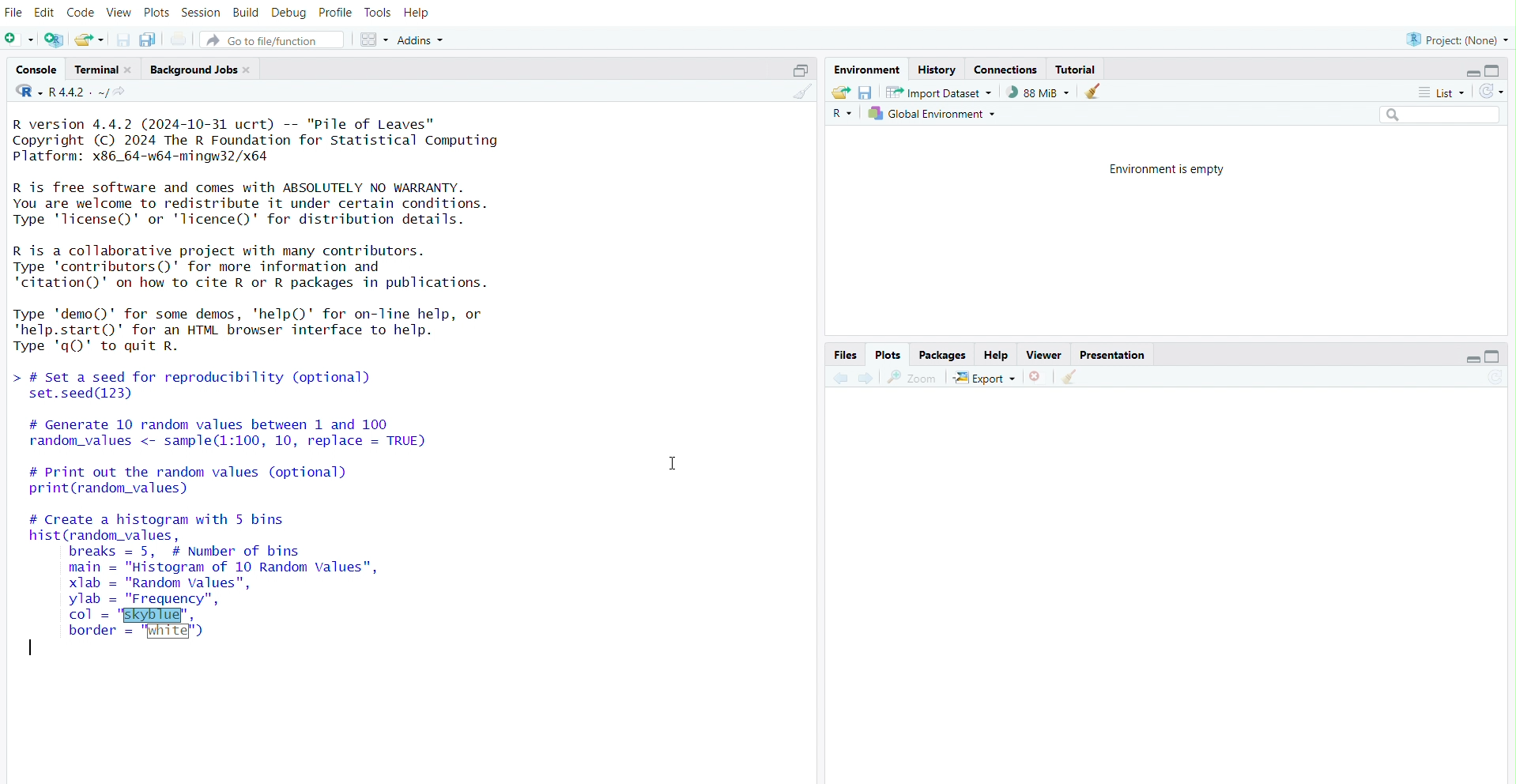  I want to click on debug, so click(290, 10).